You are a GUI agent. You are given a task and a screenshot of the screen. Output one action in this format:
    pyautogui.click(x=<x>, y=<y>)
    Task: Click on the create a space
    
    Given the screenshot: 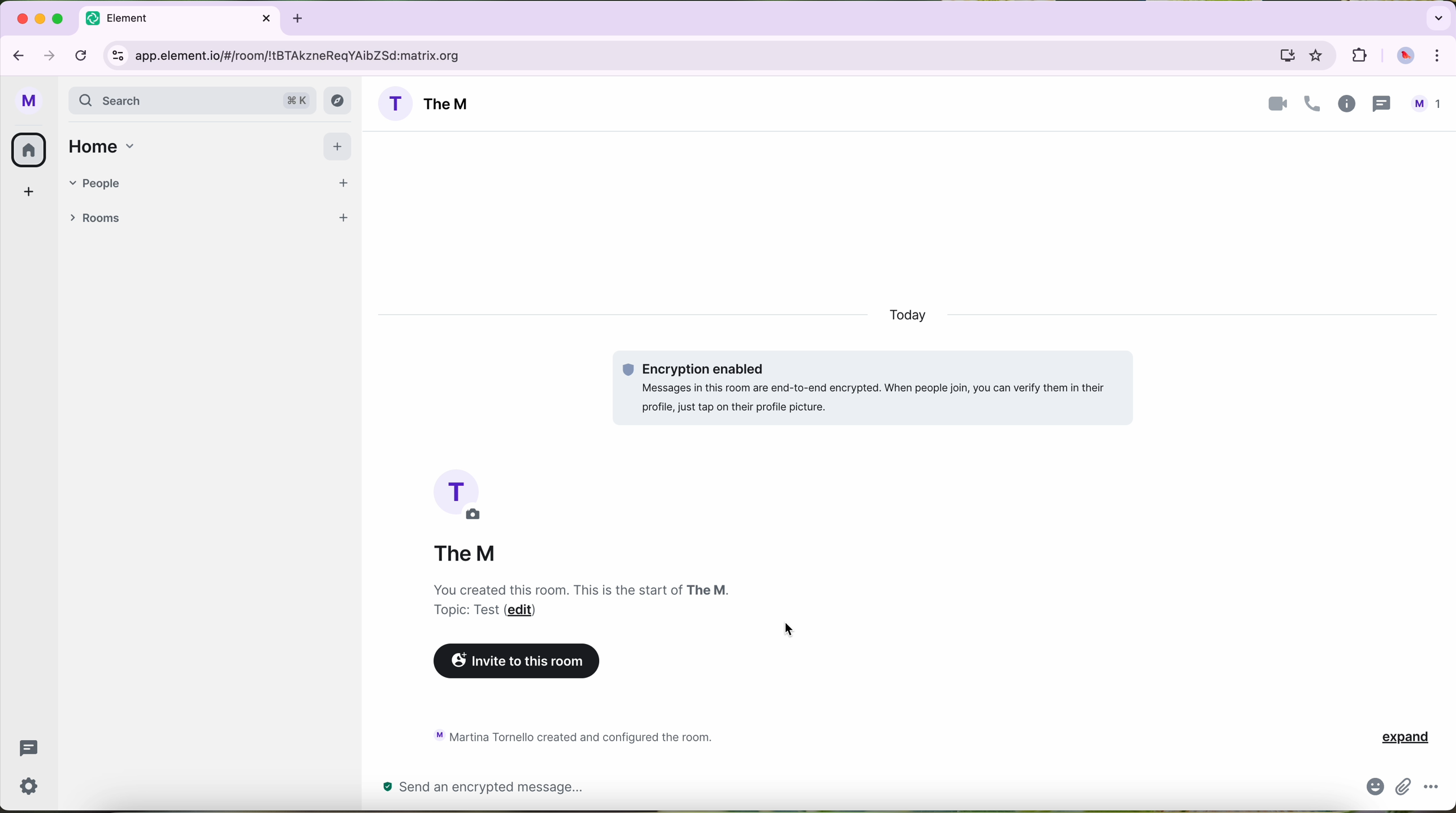 What is the action you would take?
    pyautogui.click(x=31, y=190)
    